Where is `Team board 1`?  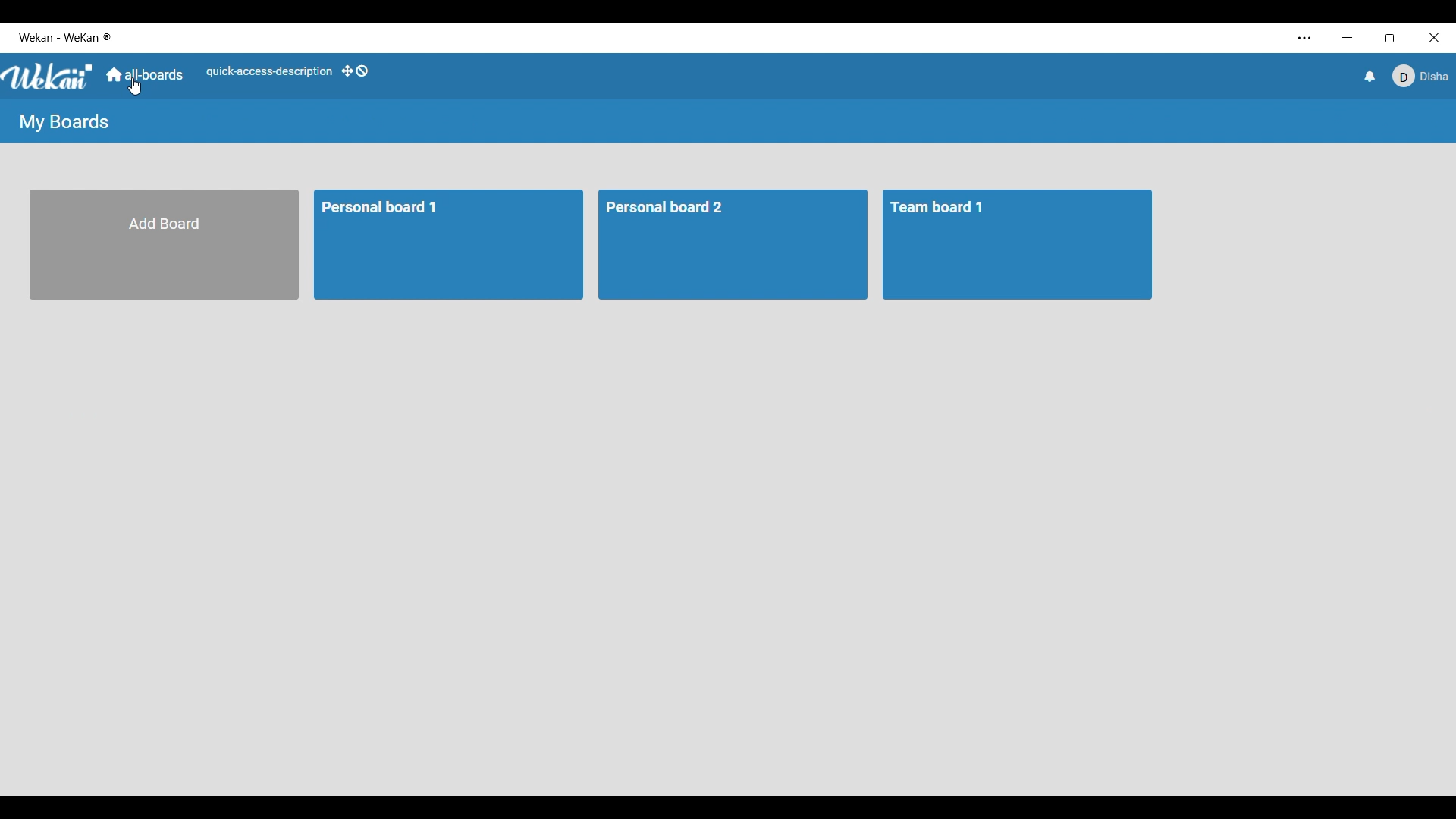 Team board 1 is located at coordinates (946, 206).